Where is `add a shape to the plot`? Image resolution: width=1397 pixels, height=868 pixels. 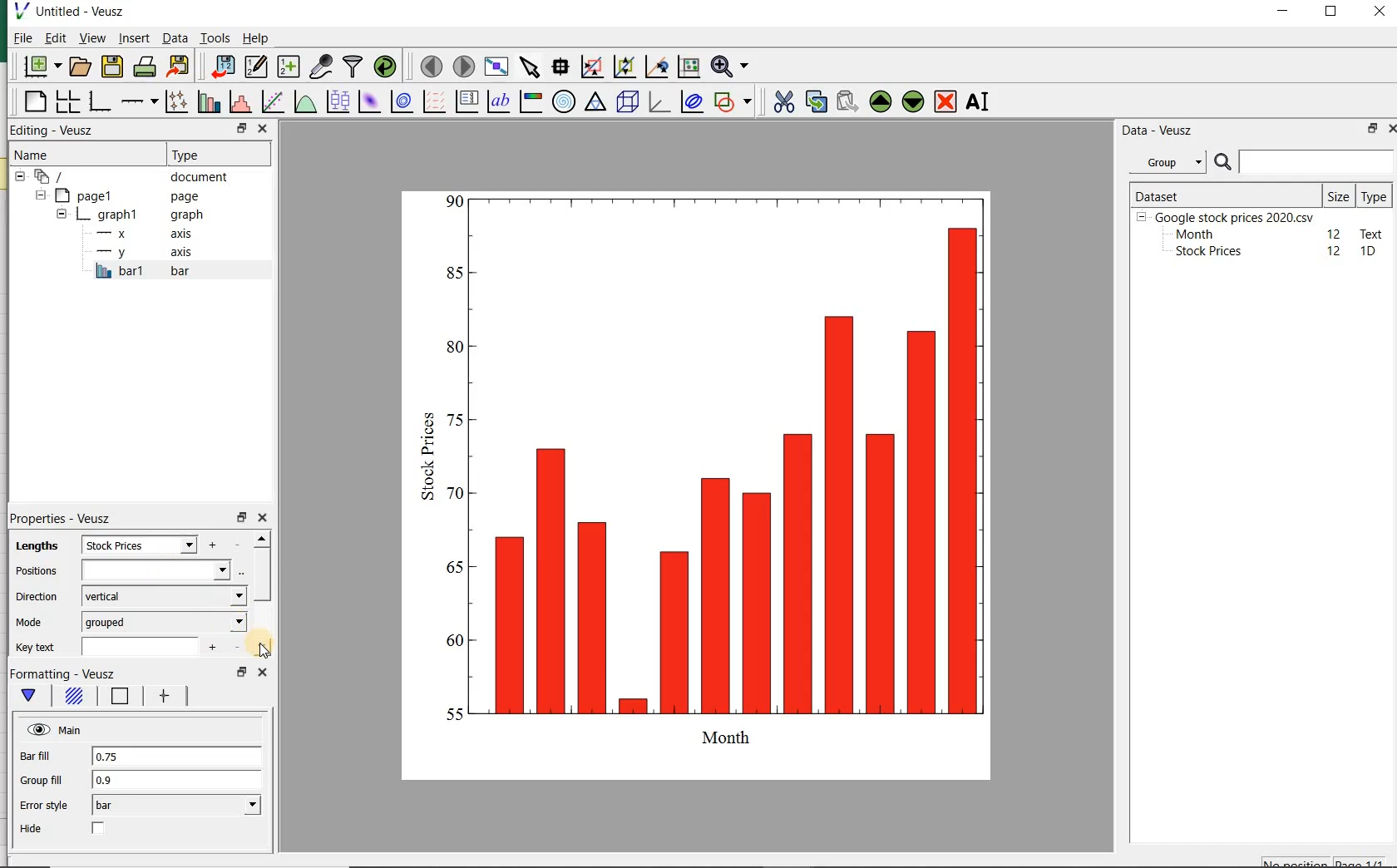 add a shape to the plot is located at coordinates (733, 102).